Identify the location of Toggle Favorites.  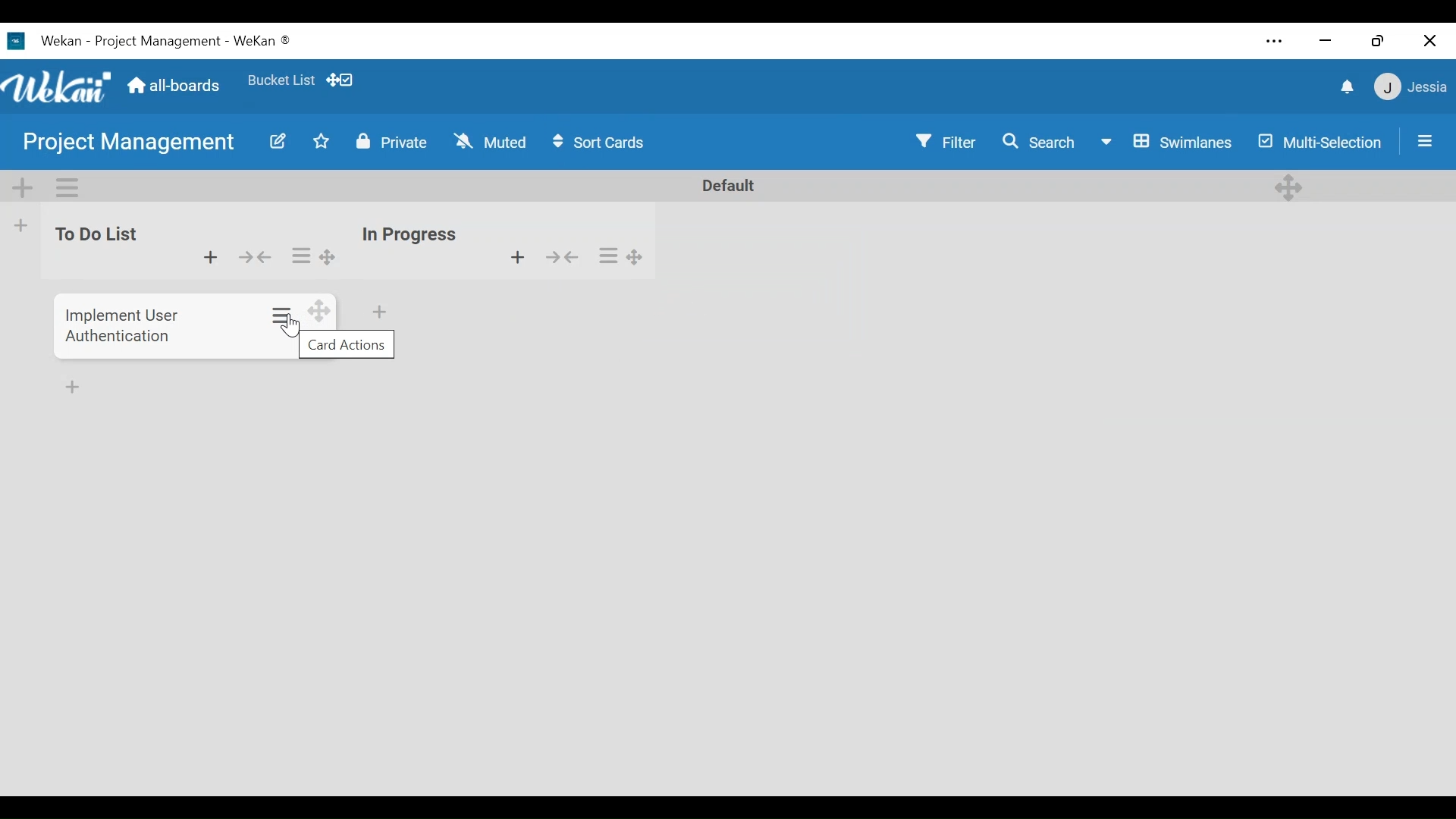
(322, 142).